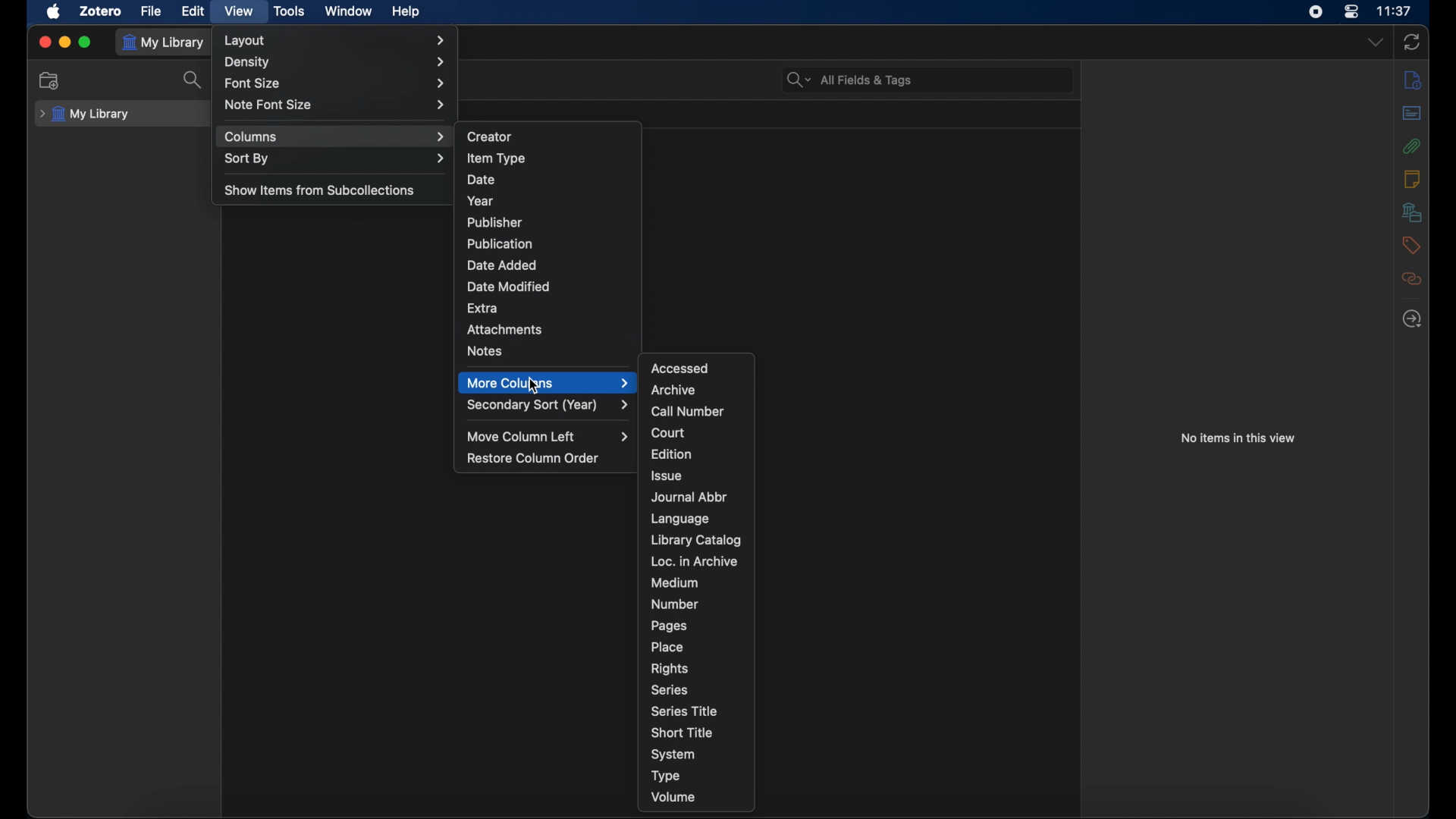  What do you see at coordinates (695, 561) in the screenshot?
I see `loc. in archive` at bounding box center [695, 561].